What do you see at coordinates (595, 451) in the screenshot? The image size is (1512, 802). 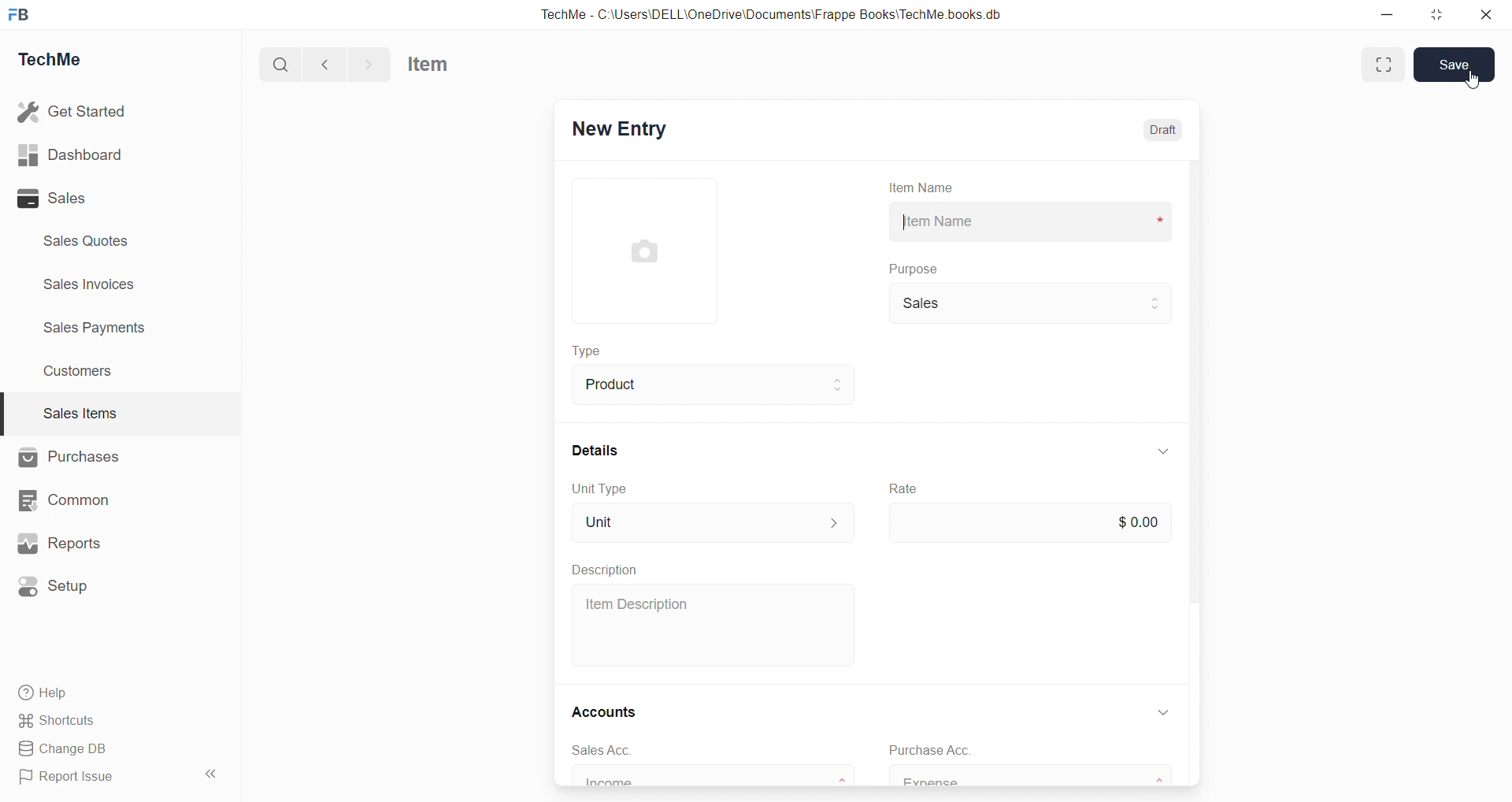 I see `Details` at bounding box center [595, 451].